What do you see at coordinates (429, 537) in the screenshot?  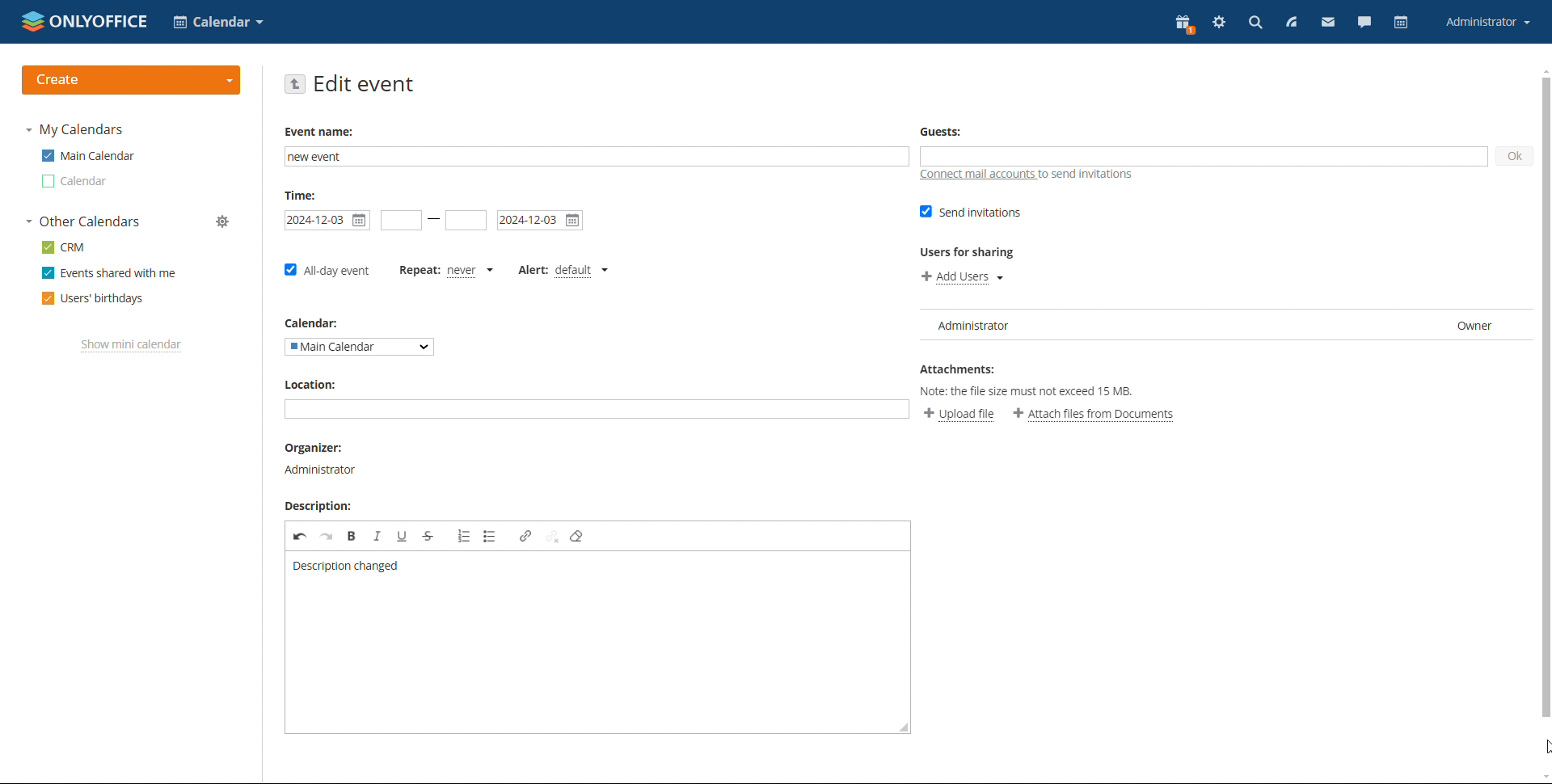 I see `strikethrough` at bounding box center [429, 537].